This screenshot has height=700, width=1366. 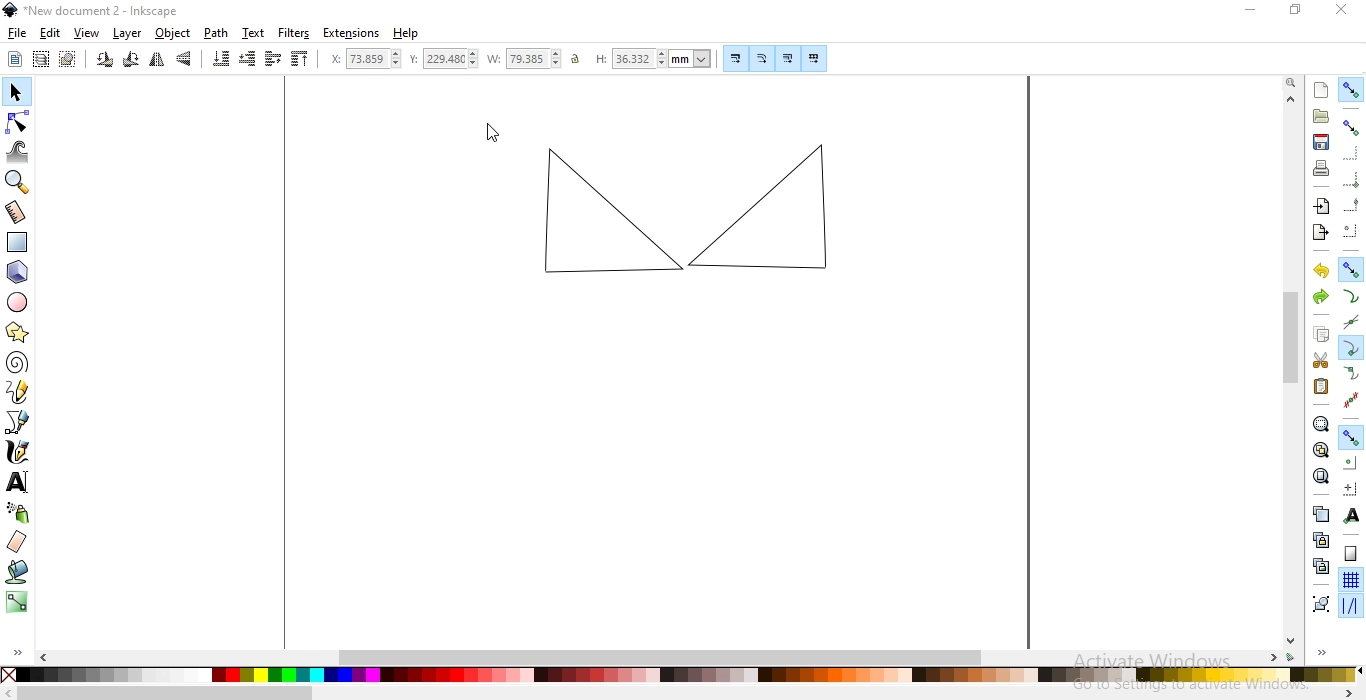 I want to click on create circles, arcs and ellipses, so click(x=19, y=304).